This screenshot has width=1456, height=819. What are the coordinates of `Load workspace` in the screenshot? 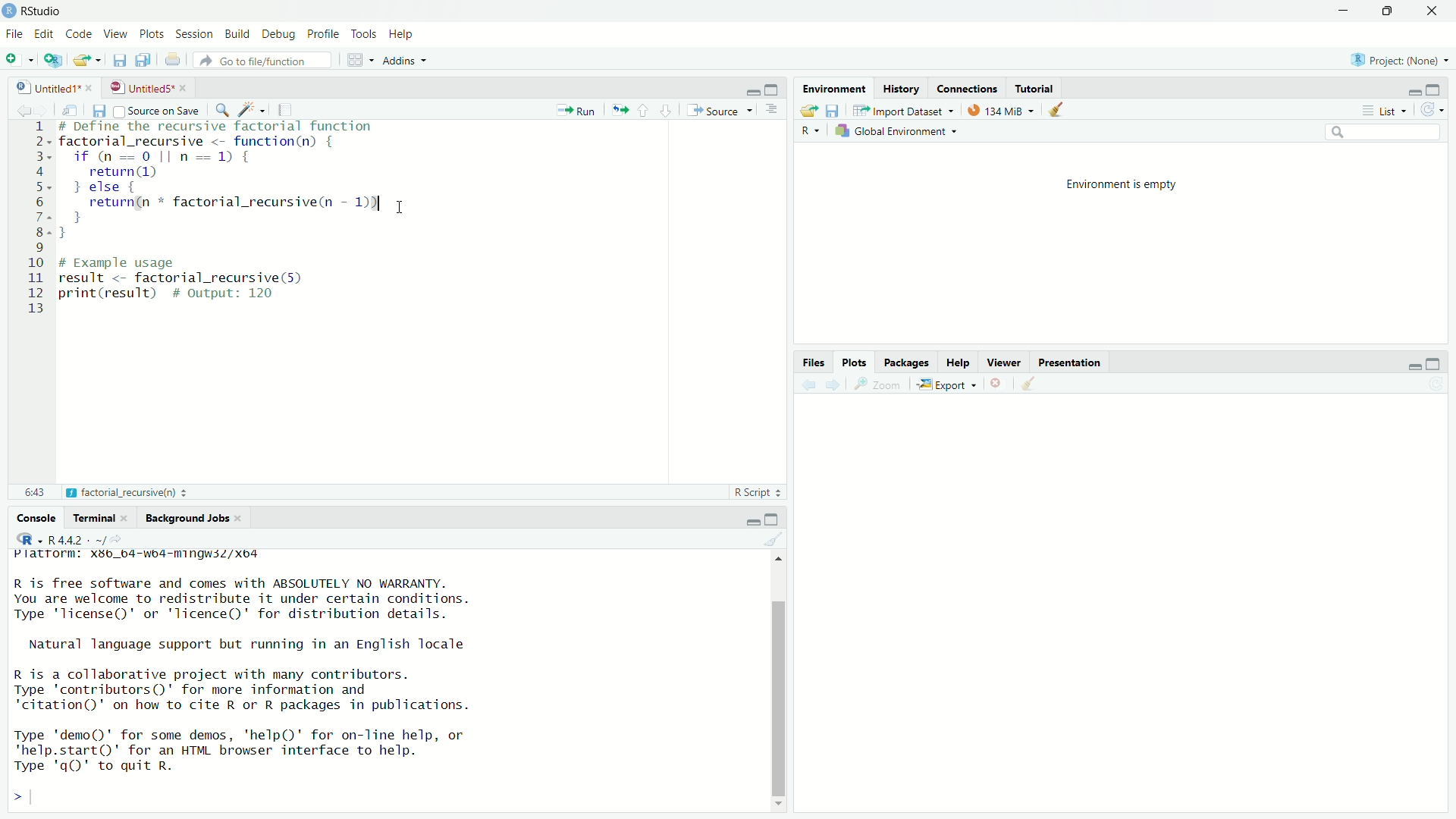 It's located at (807, 109).